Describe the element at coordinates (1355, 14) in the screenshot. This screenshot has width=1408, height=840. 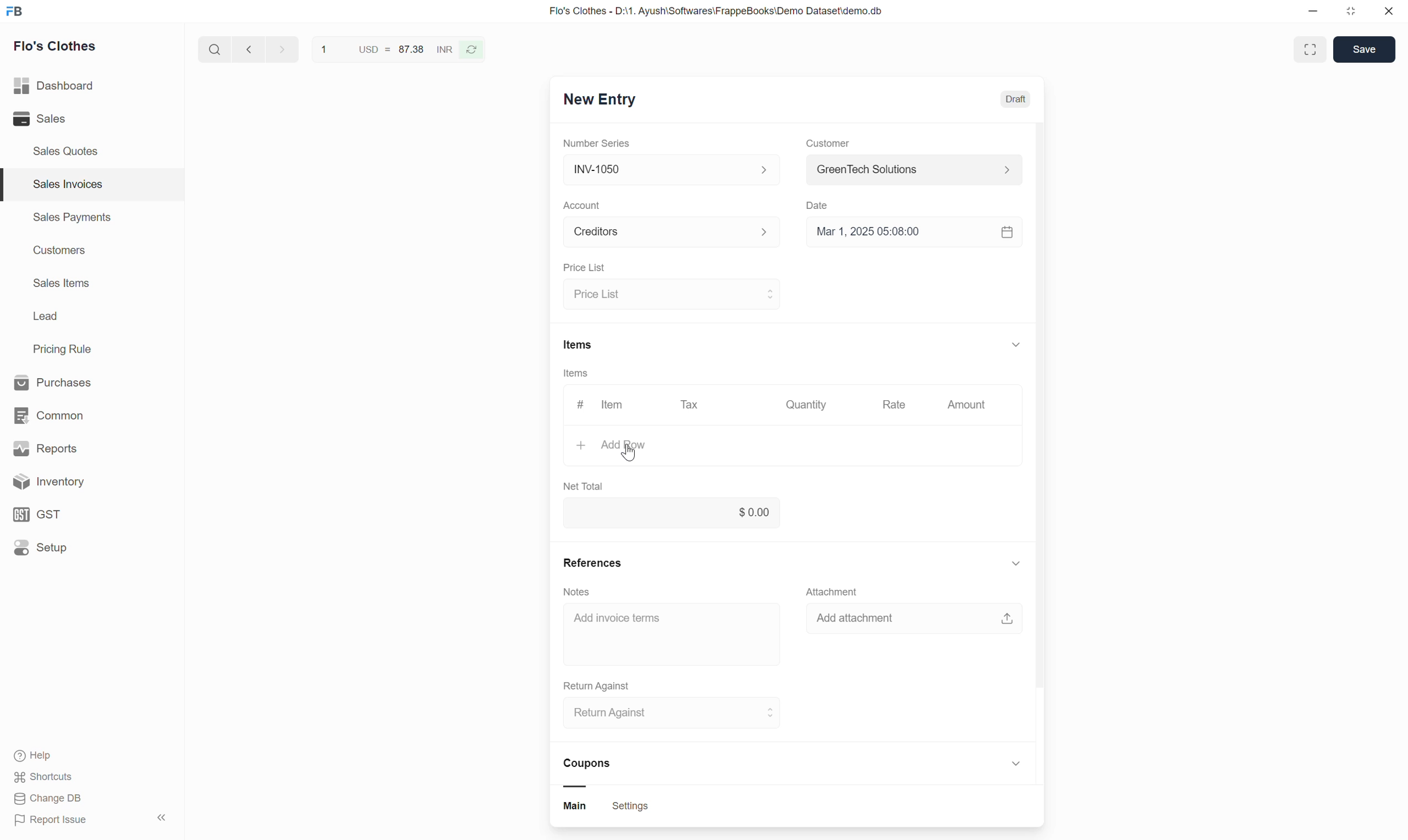
I see `resize ` at that location.